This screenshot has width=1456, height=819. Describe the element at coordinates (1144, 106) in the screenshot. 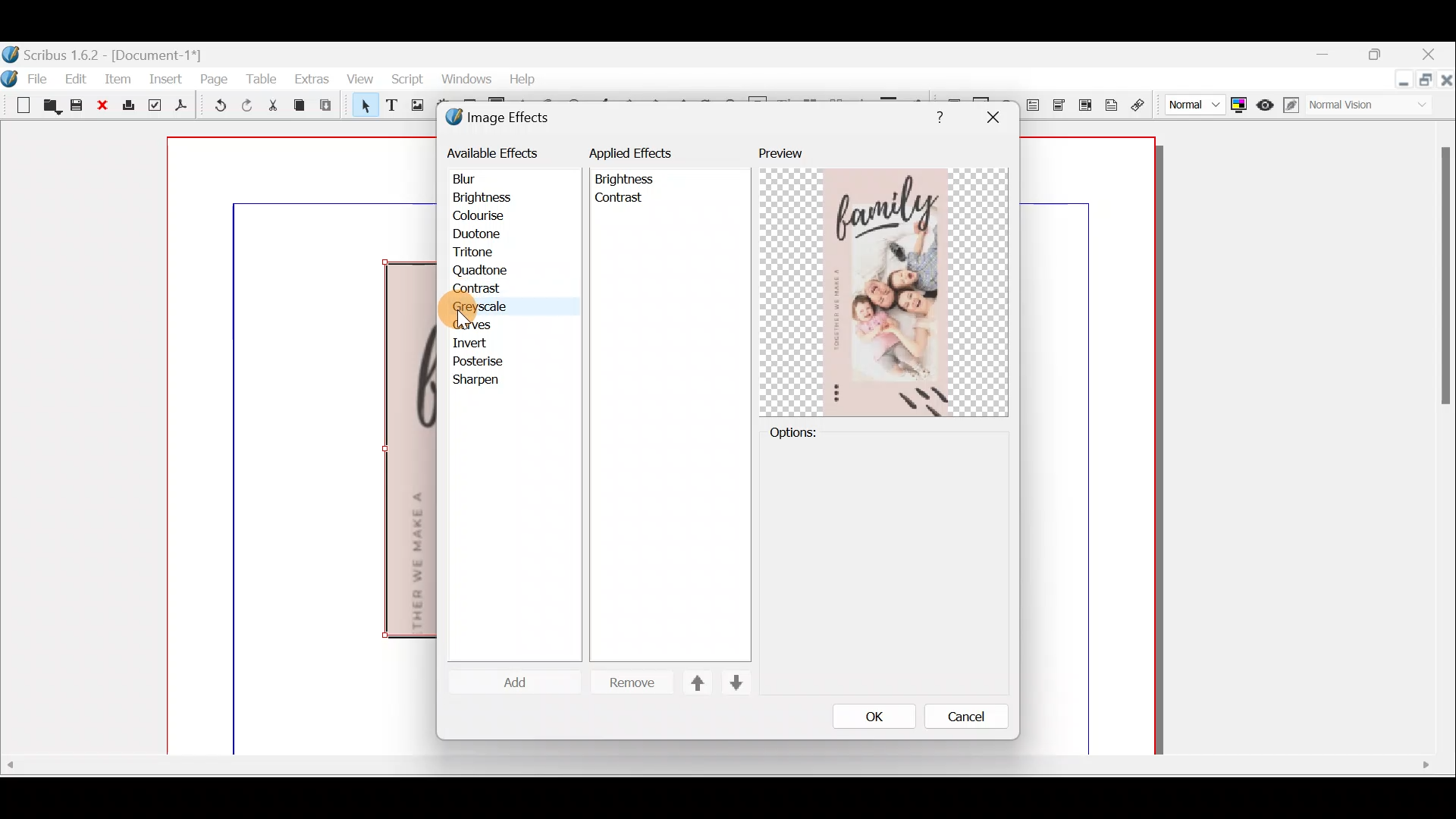

I see `Link annotation` at that location.